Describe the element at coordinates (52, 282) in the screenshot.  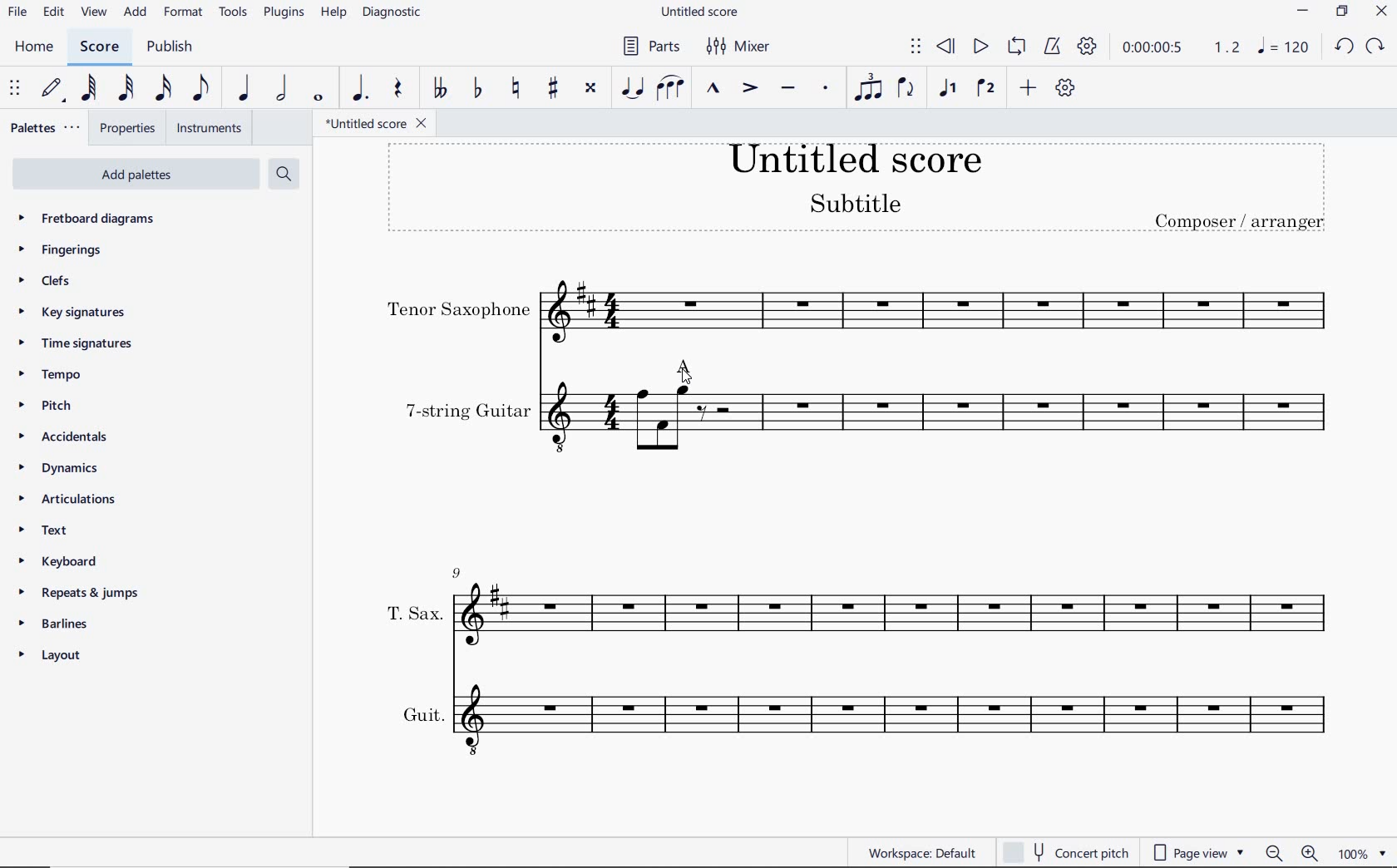
I see `CLEFS` at that location.